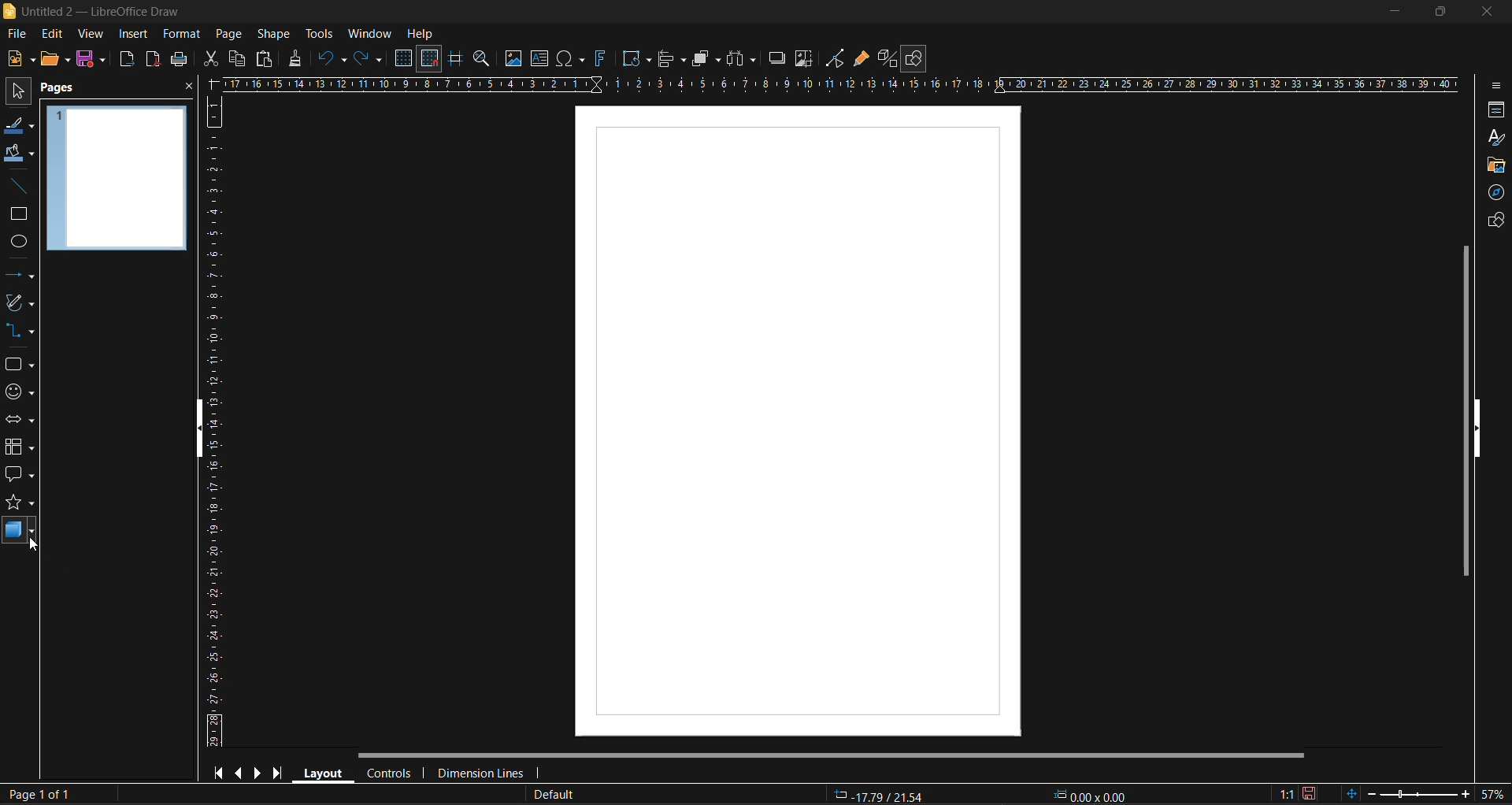  What do you see at coordinates (743, 57) in the screenshot?
I see `distribute` at bounding box center [743, 57].